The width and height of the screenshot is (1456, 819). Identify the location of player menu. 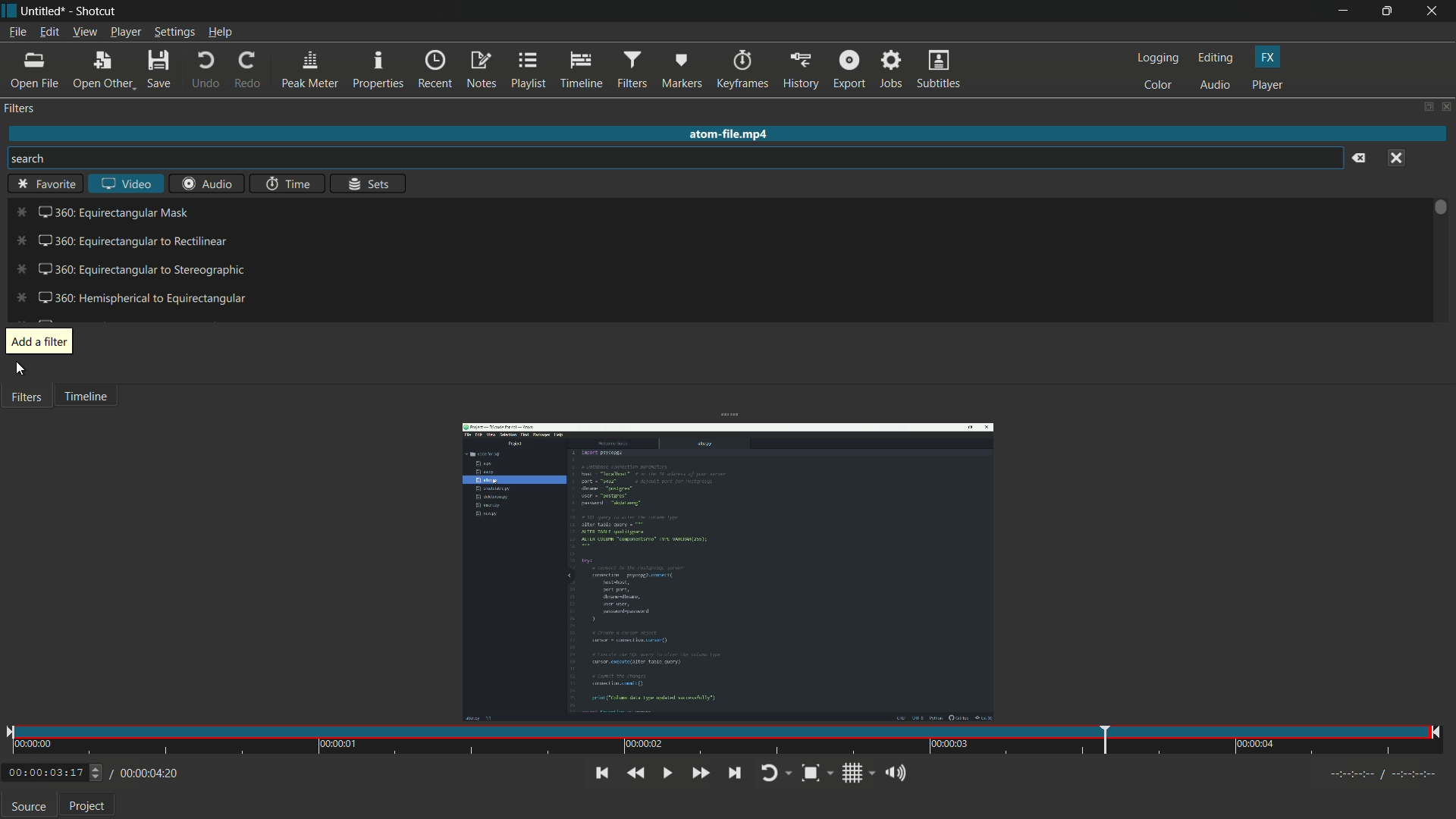
(125, 33).